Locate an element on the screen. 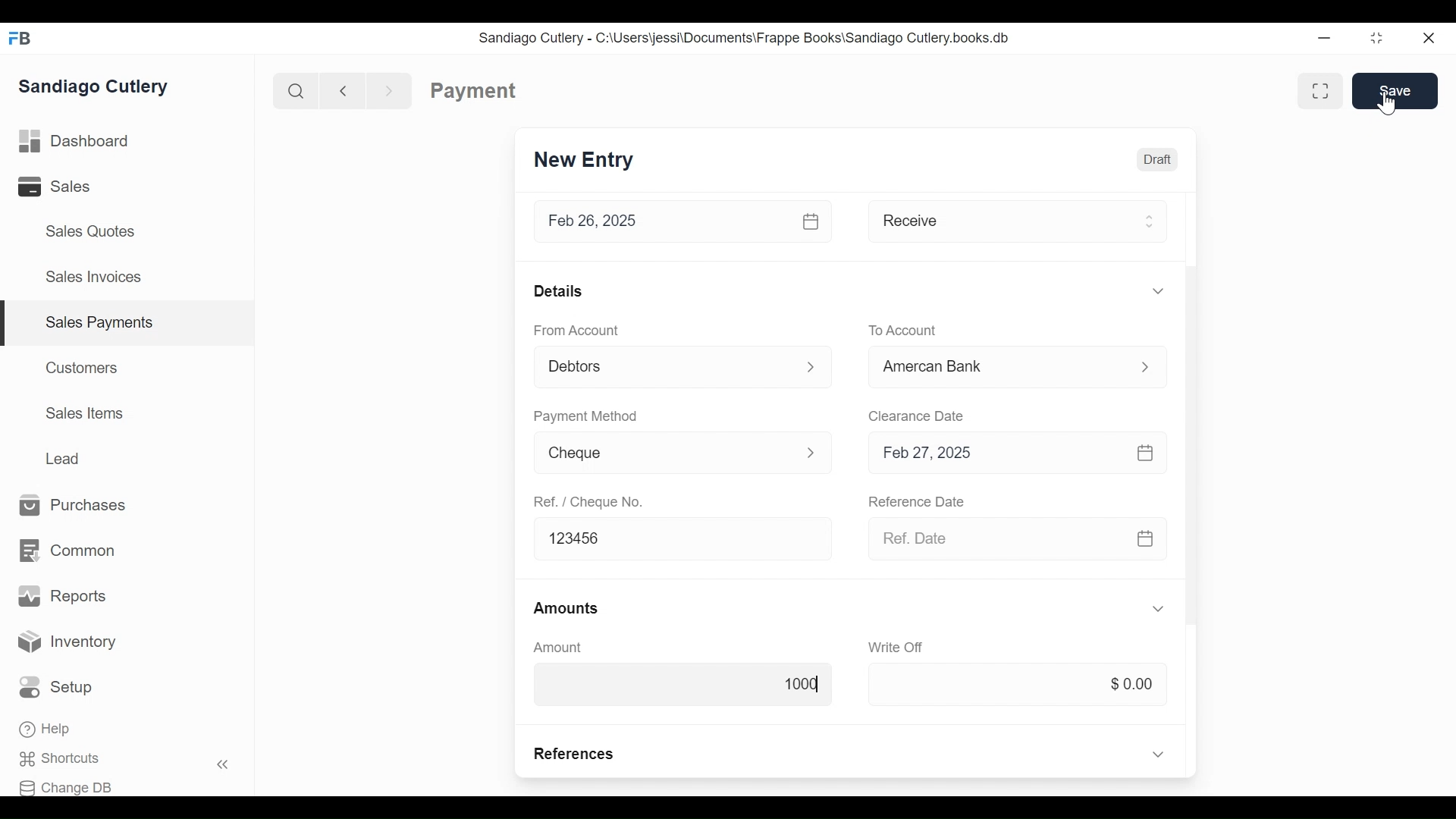 This screenshot has height=819, width=1456. Details is located at coordinates (558, 290).